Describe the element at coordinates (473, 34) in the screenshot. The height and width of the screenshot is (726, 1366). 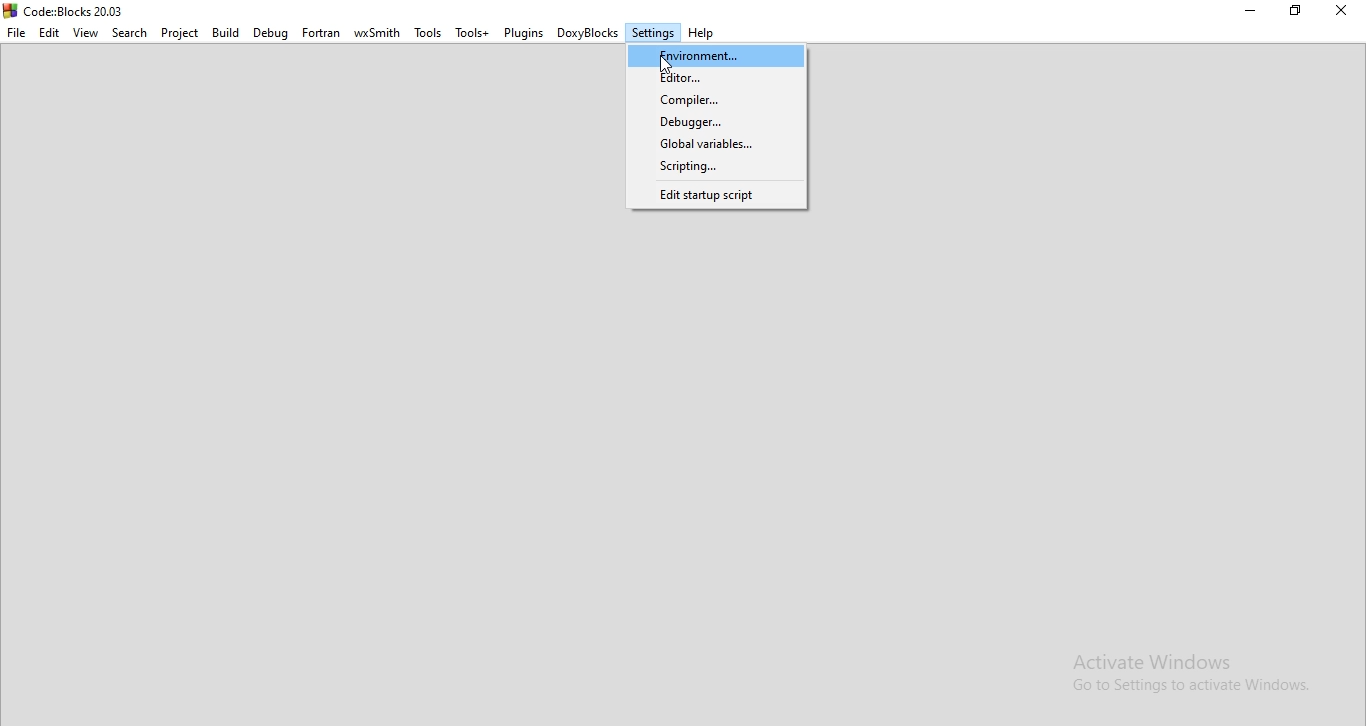
I see `Tools+` at that location.